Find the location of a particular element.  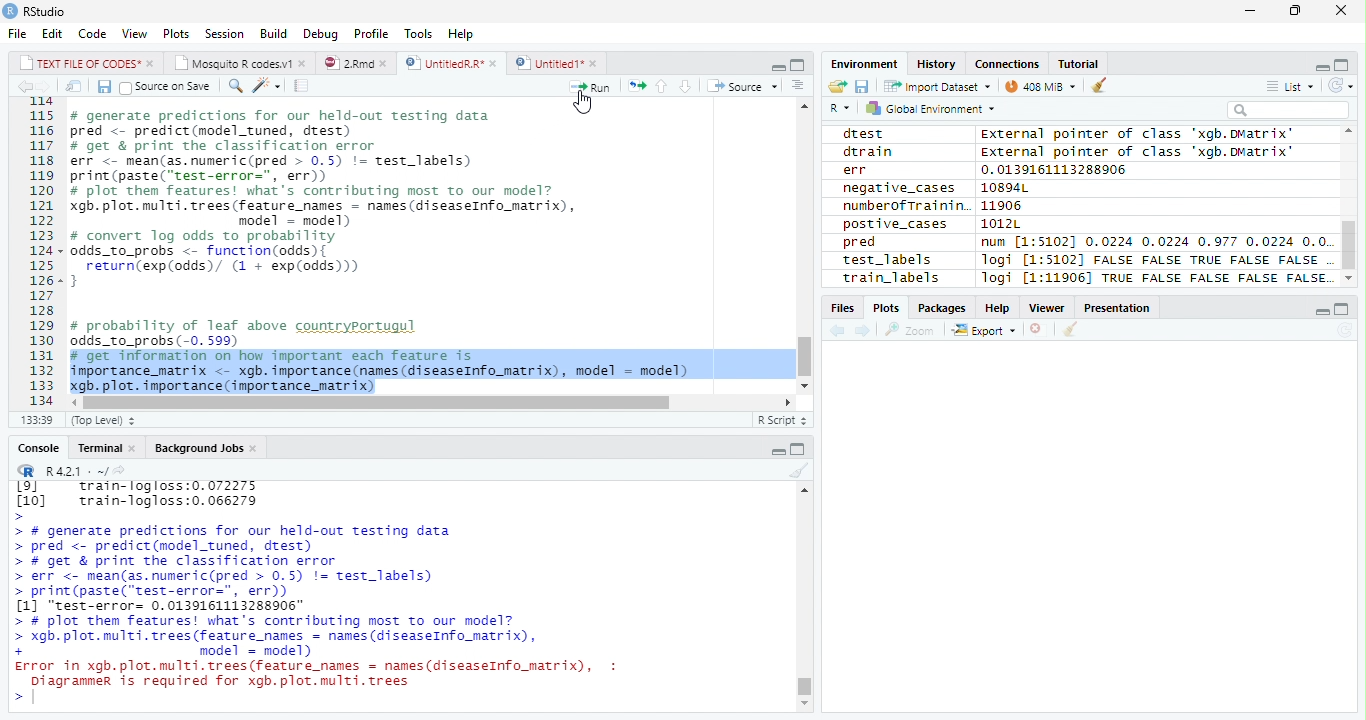

TEXT FILE OF CODES"  is located at coordinates (86, 63).